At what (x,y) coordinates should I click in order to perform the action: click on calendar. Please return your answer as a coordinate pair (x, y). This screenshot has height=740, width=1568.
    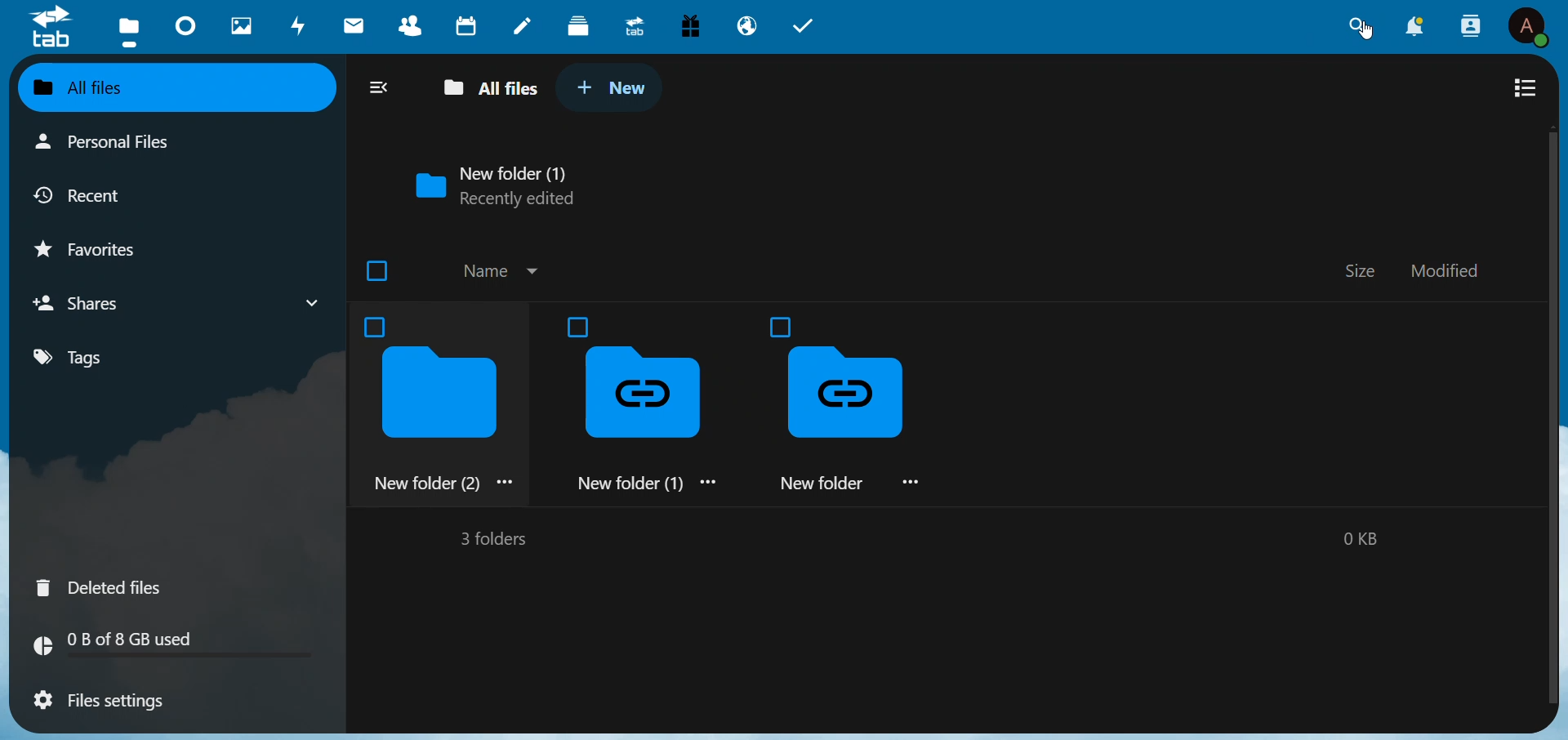
    Looking at the image, I should click on (470, 29).